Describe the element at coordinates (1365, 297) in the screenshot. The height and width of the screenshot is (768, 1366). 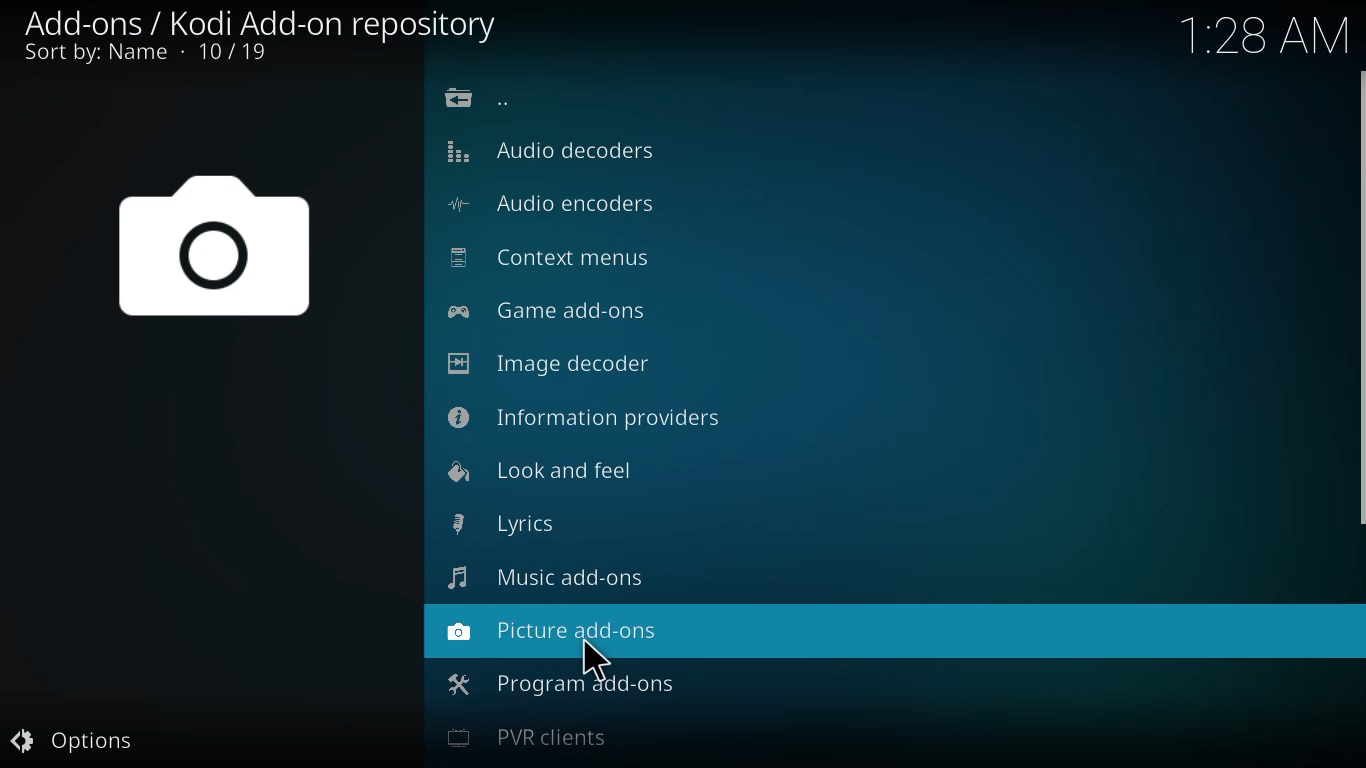
I see `scroll bar` at that location.